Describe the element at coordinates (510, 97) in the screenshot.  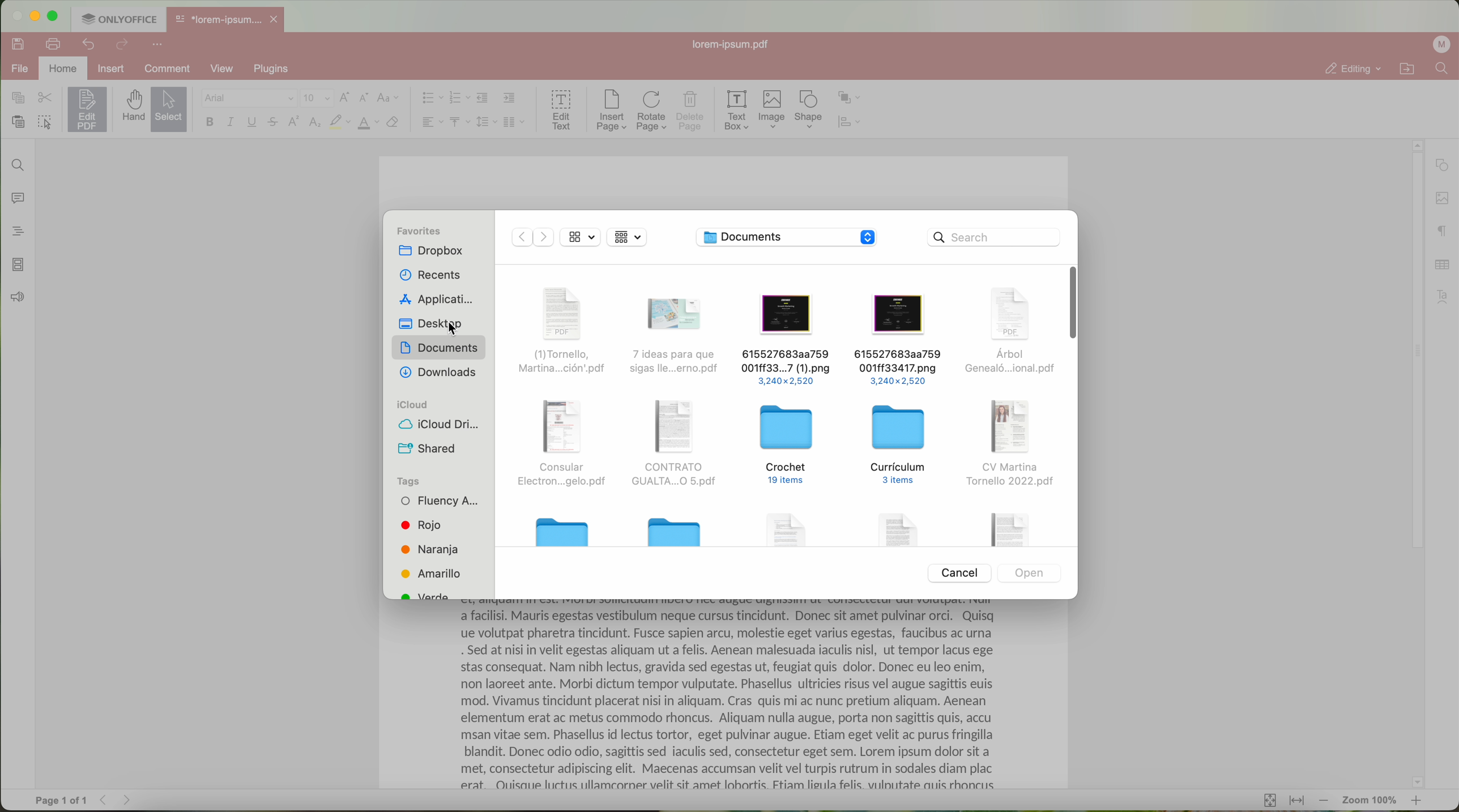
I see `increase indent` at that location.